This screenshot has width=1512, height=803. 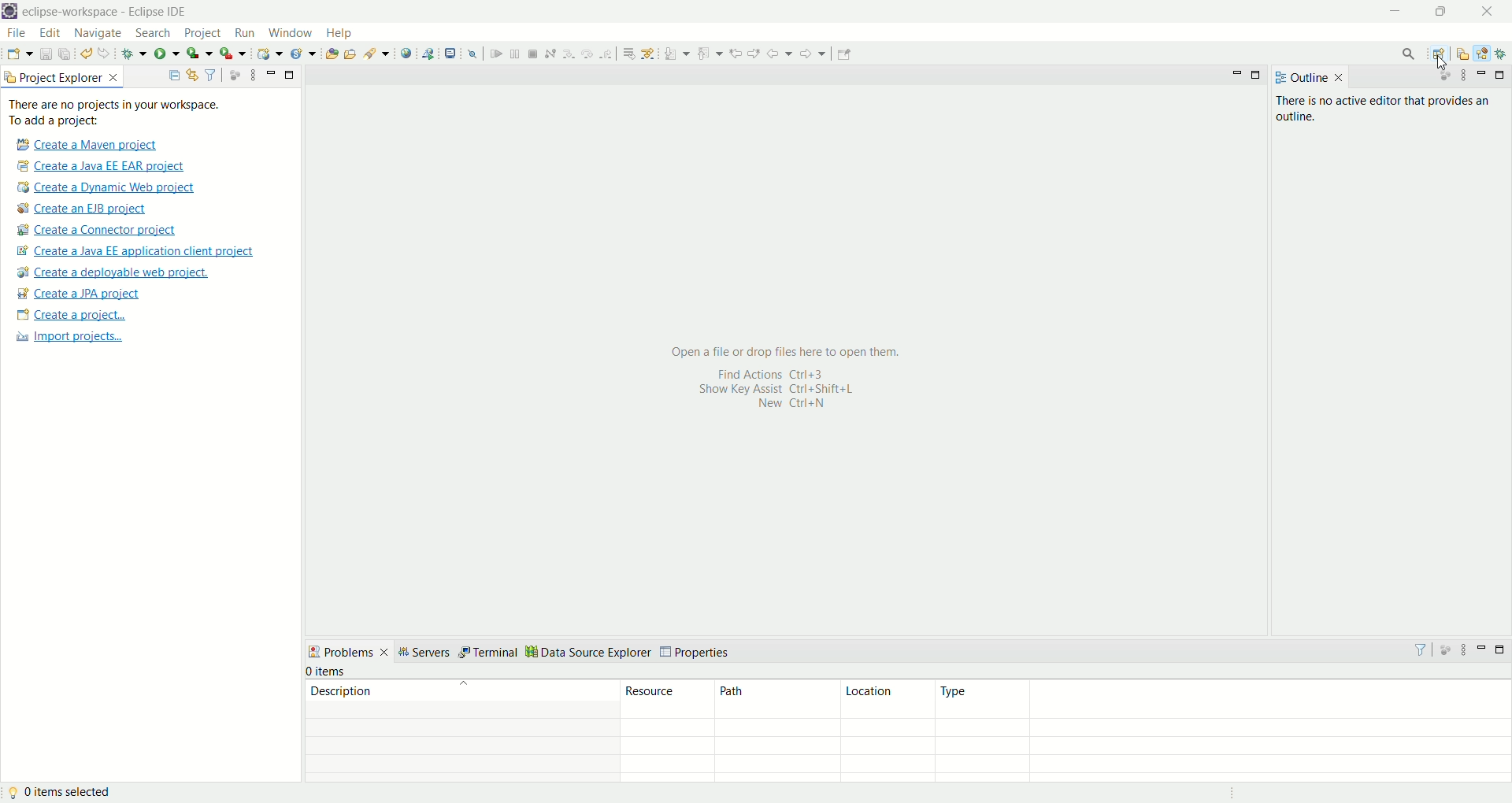 I want to click on edit, so click(x=48, y=34).